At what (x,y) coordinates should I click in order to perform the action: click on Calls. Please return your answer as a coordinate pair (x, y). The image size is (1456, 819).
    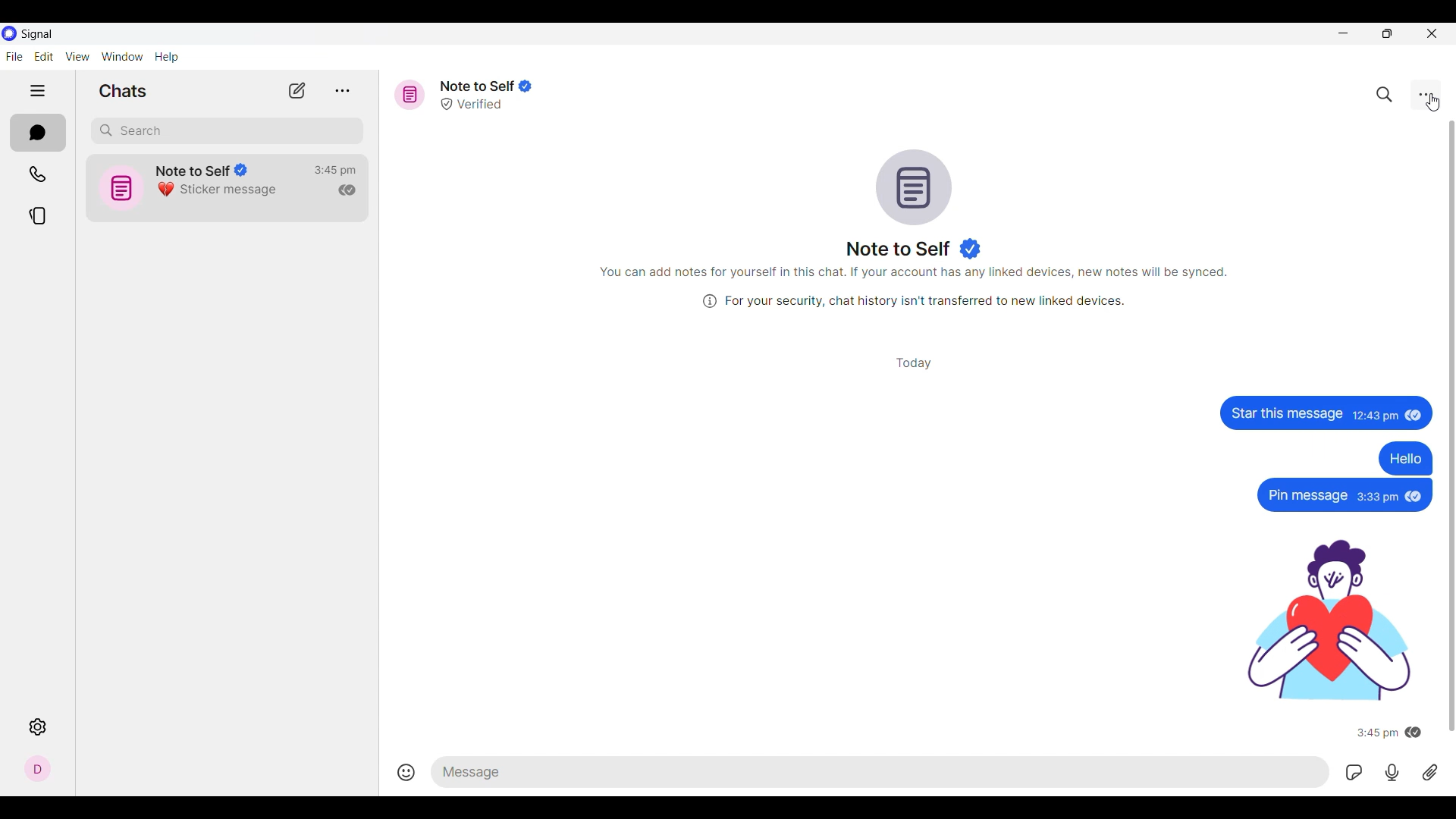
    Looking at the image, I should click on (38, 174).